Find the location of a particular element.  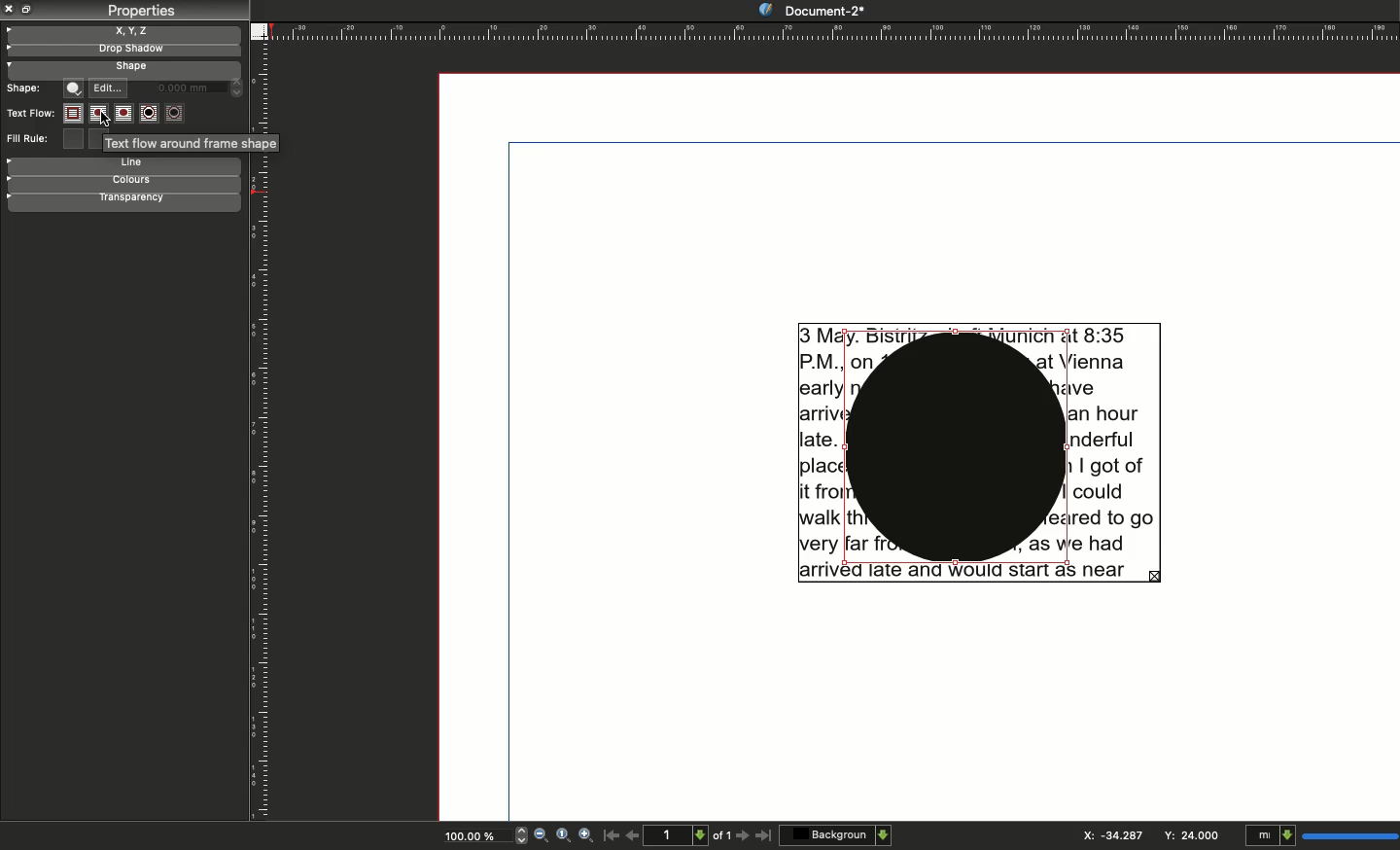

Background is located at coordinates (835, 834).